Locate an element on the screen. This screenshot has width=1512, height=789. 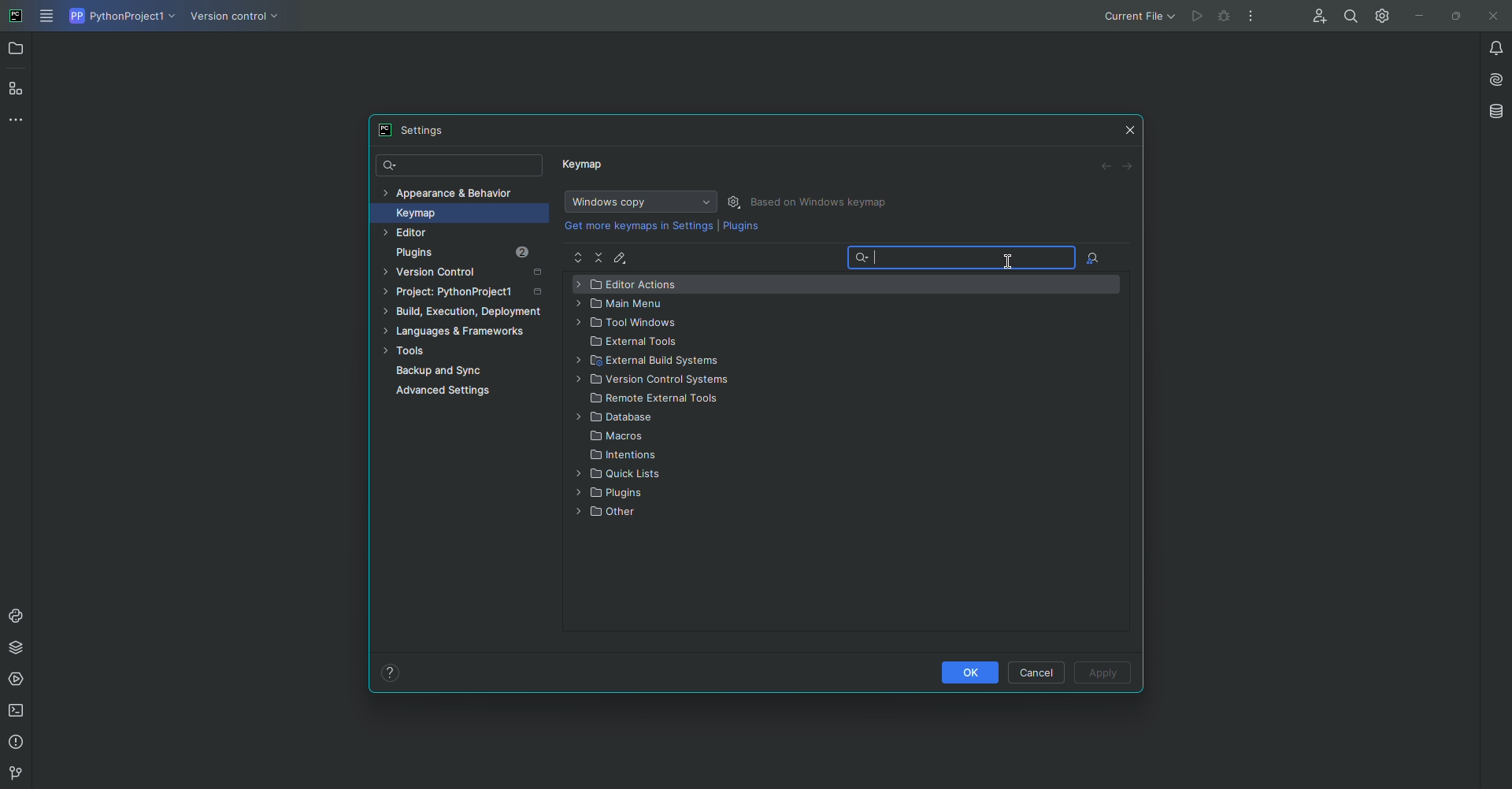
Other is located at coordinates (608, 515).